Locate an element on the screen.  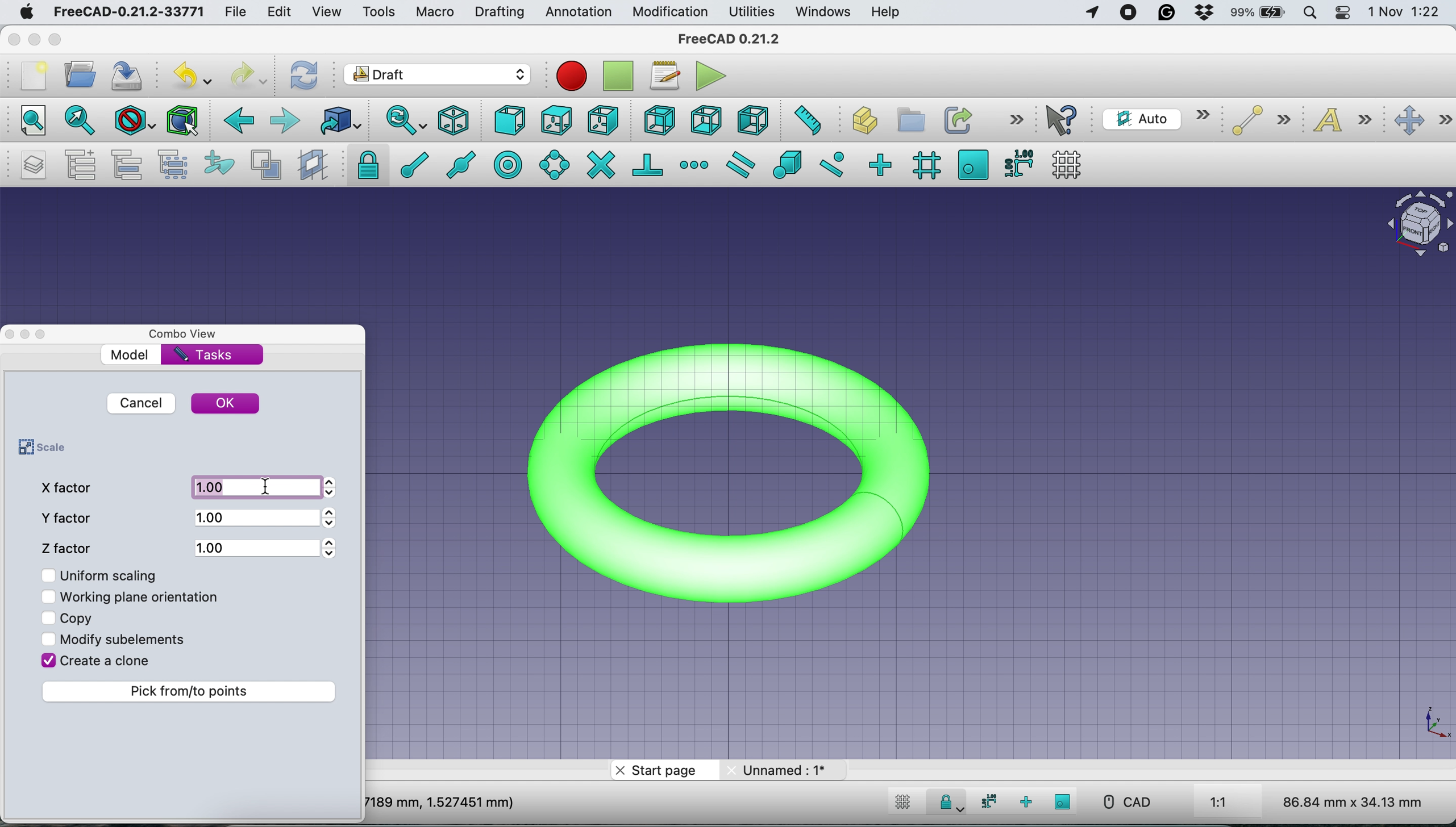
add a new named group is located at coordinates (81, 164).